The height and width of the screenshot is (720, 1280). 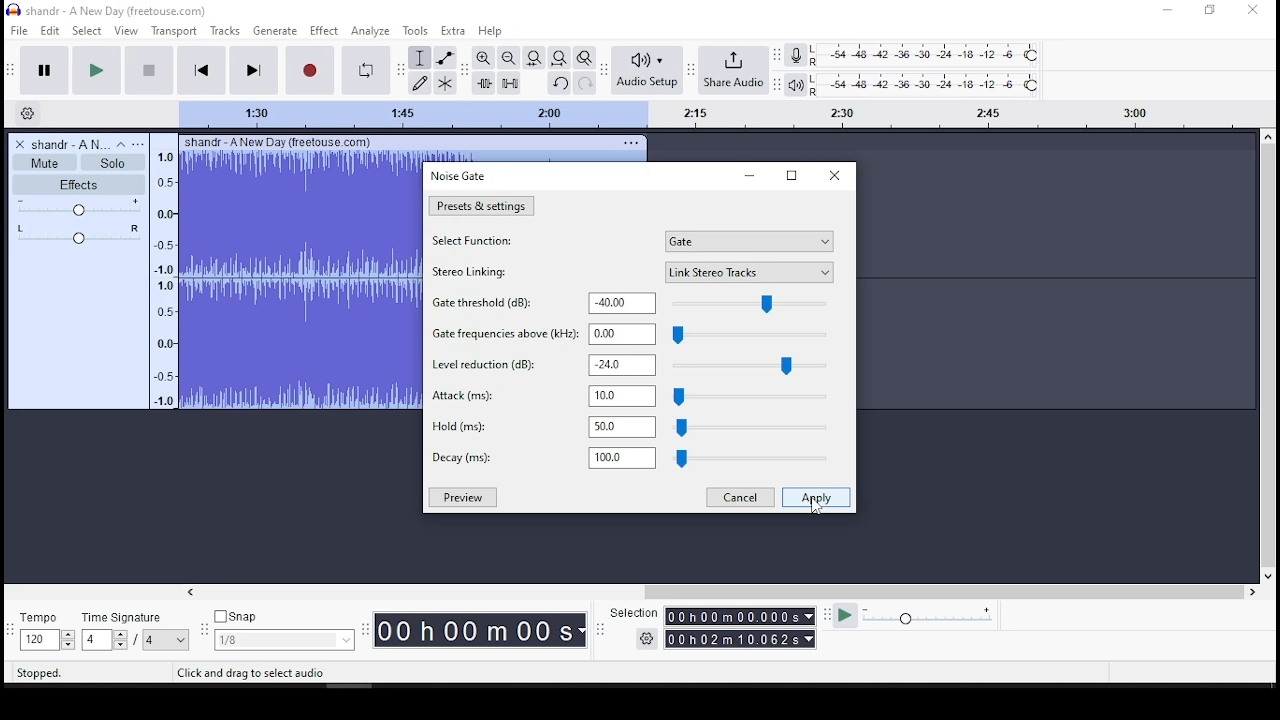 I want to click on , so click(x=451, y=31).